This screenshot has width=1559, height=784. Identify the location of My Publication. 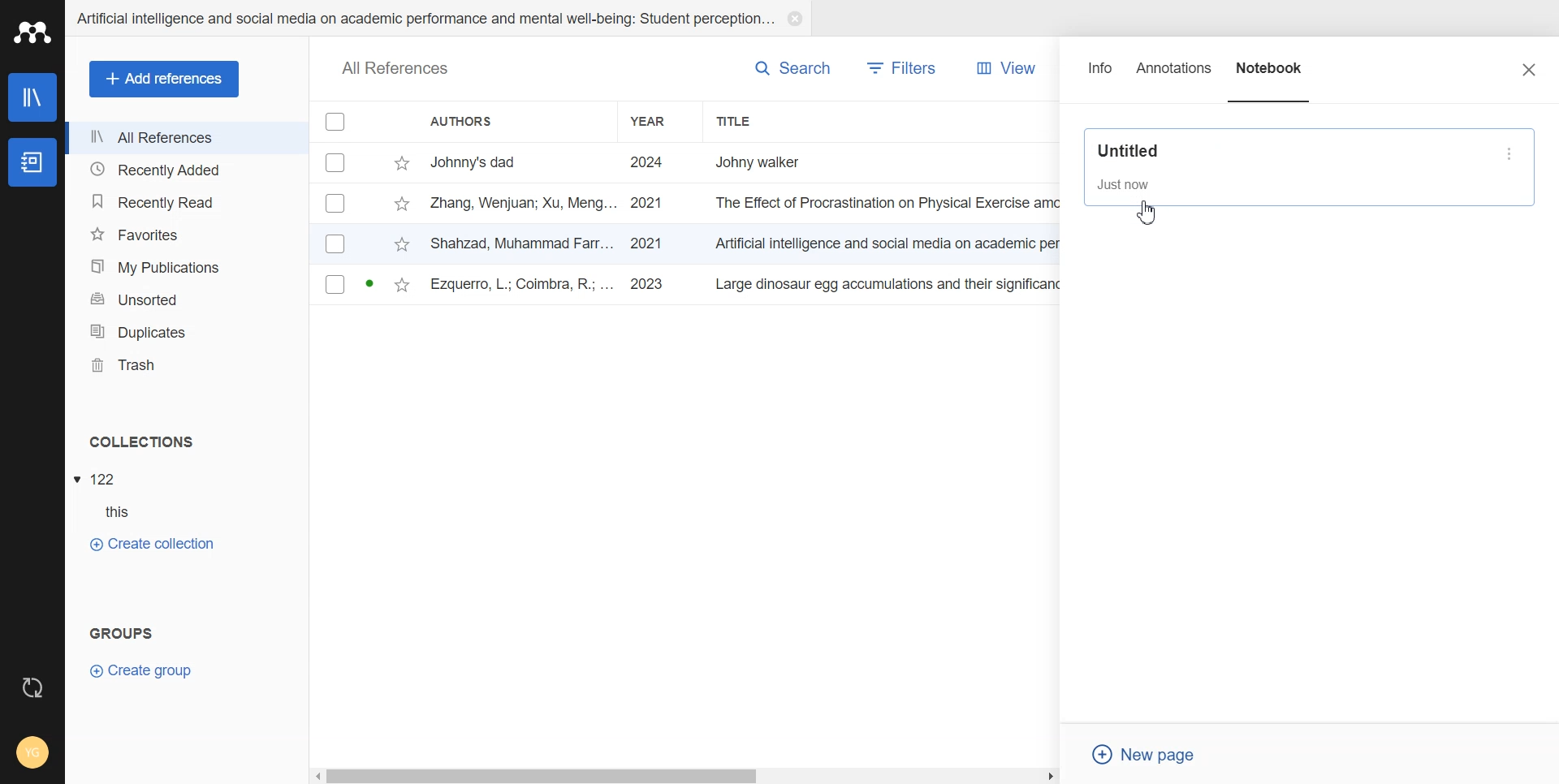
(187, 267).